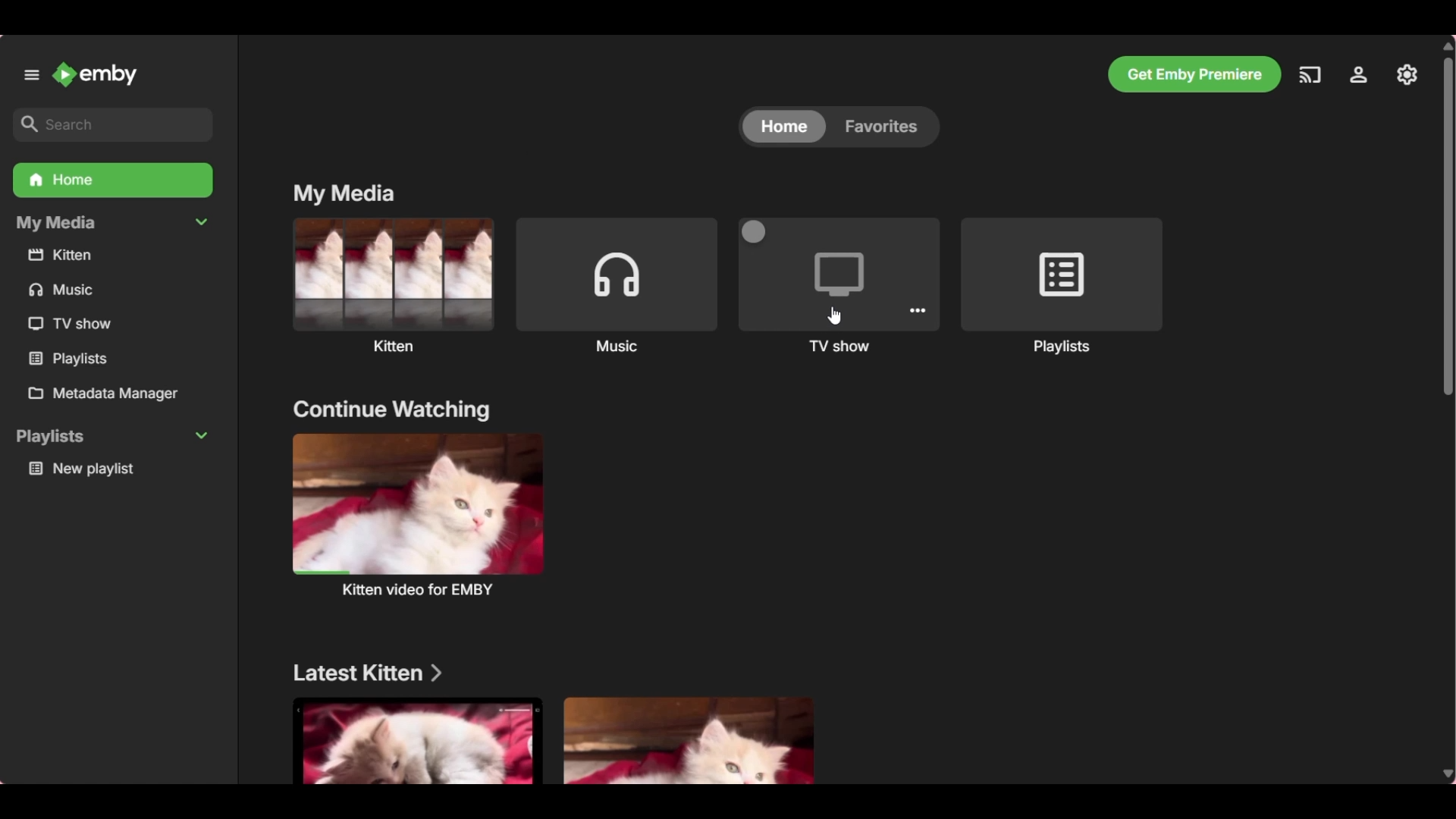 Image resolution: width=1456 pixels, height=819 pixels. I want to click on TV show, so click(837, 276).